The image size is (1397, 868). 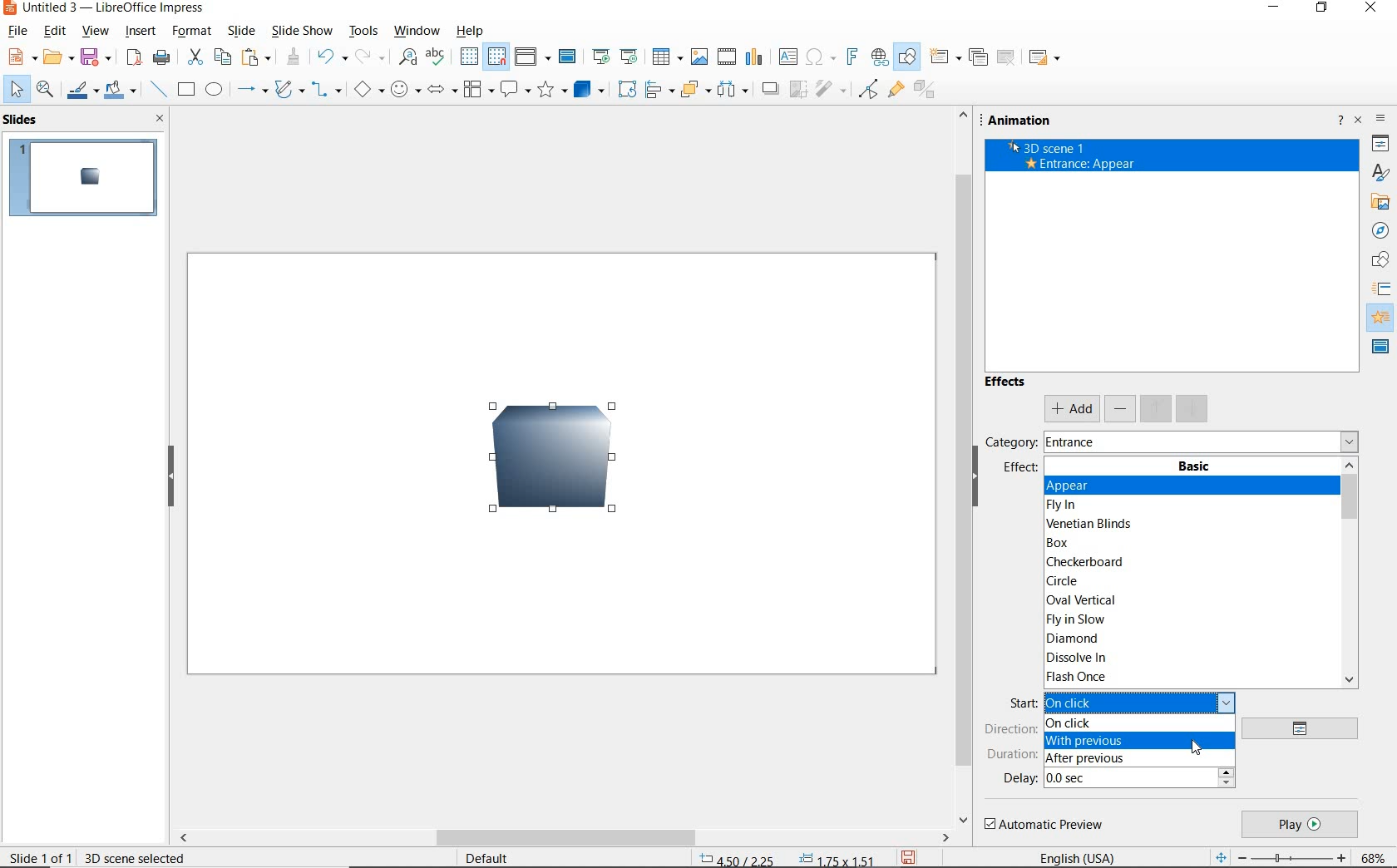 What do you see at coordinates (1383, 121) in the screenshot?
I see `SIDEBAR SETTINGS` at bounding box center [1383, 121].